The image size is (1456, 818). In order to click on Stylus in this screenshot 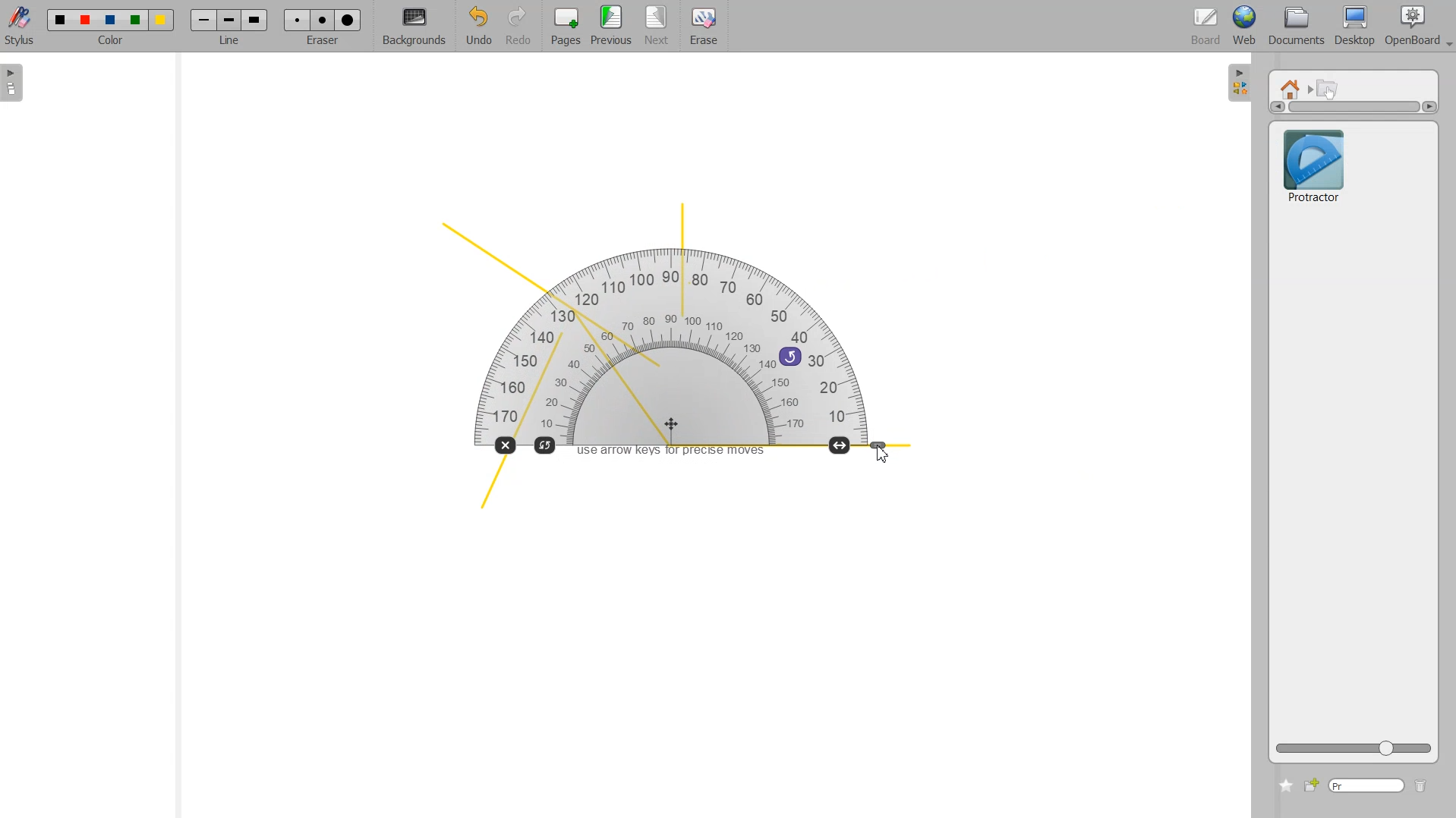, I will do `click(21, 25)`.